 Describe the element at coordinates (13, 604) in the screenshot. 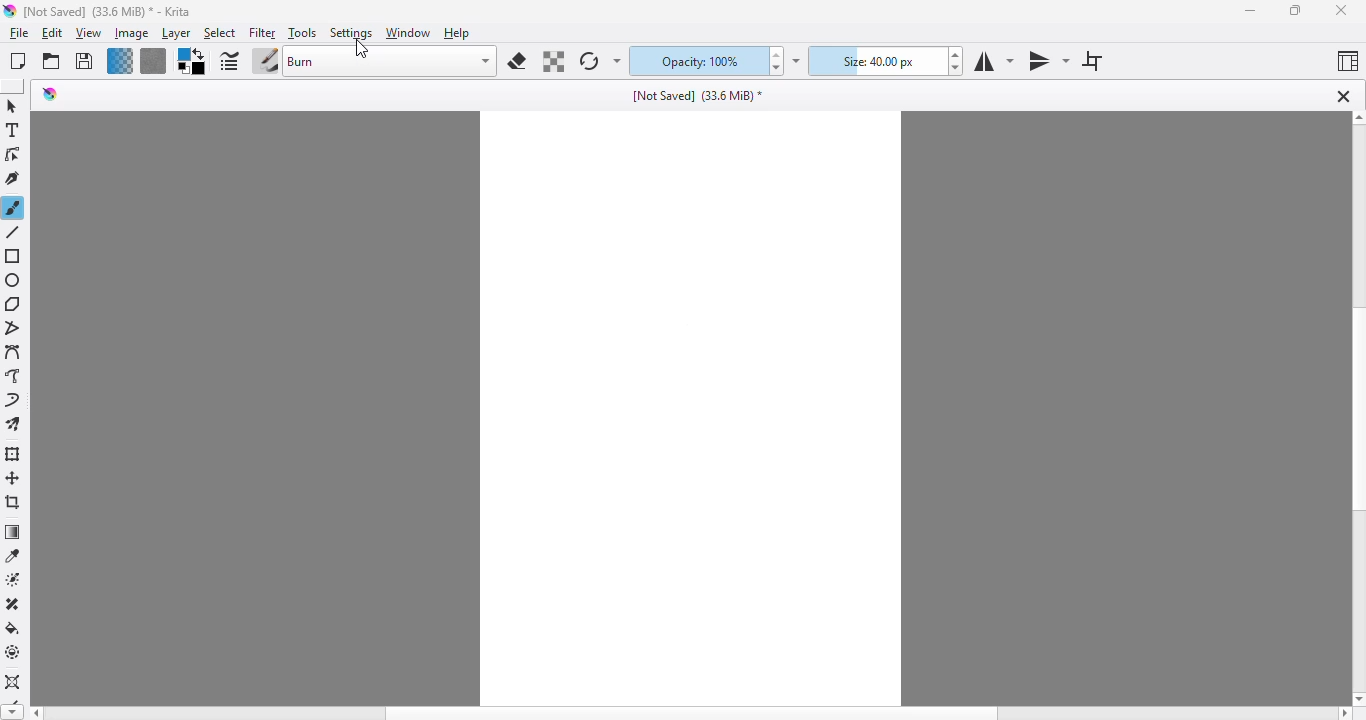

I see `smart patch tool` at that location.